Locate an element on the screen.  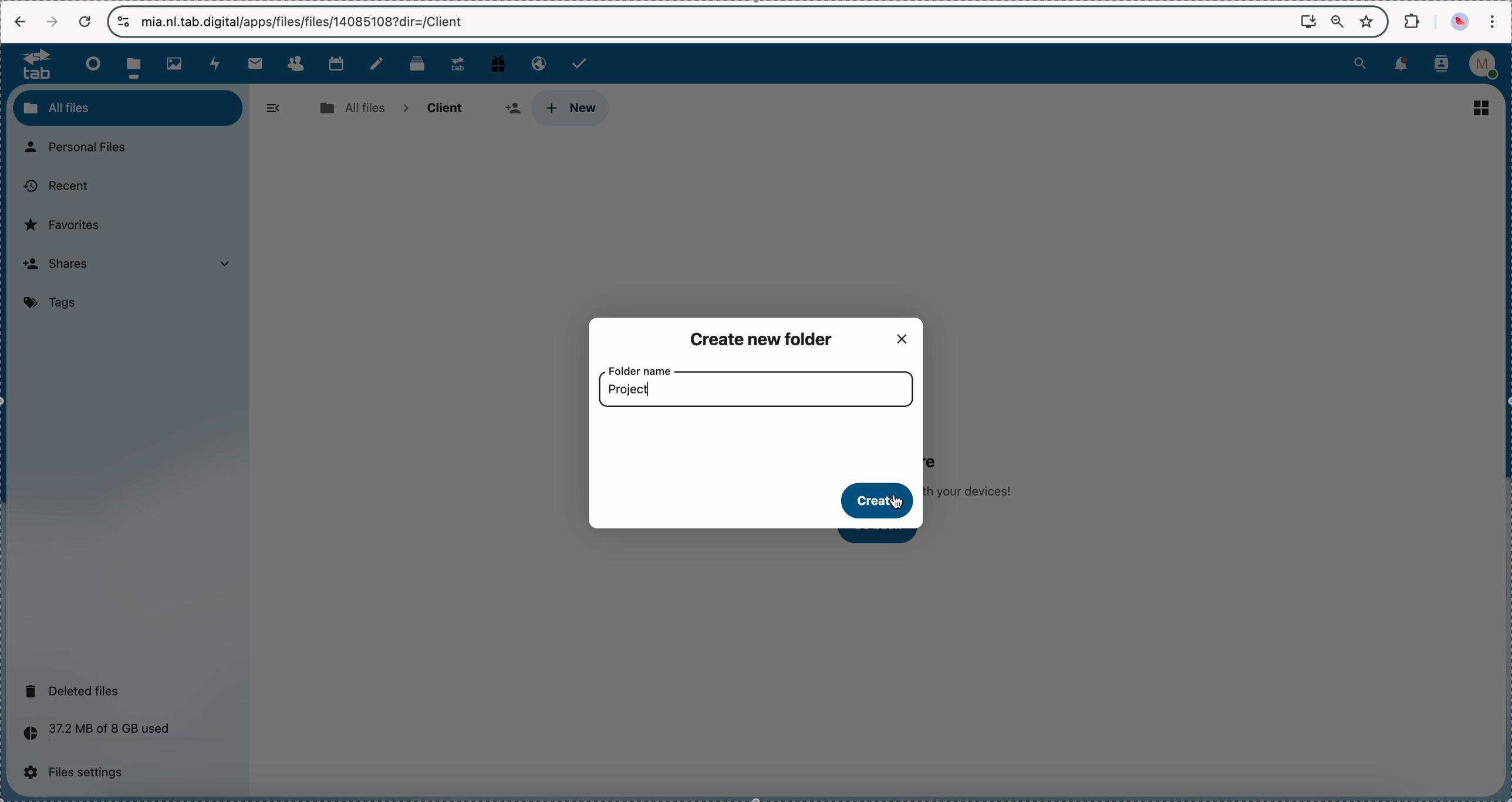
close is located at coordinates (906, 336).